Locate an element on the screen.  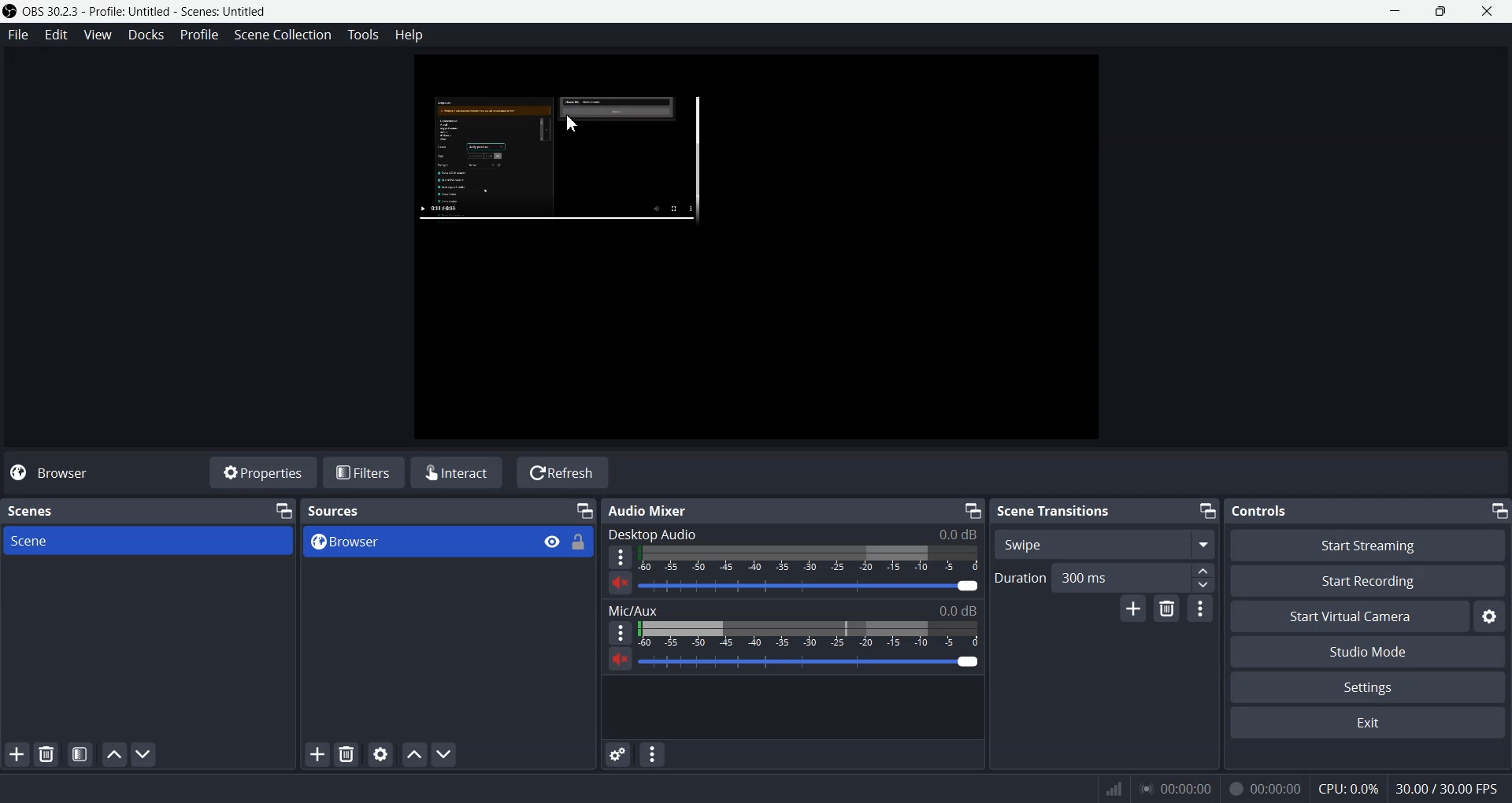
Open scene Filter is located at coordinates (80, 754).